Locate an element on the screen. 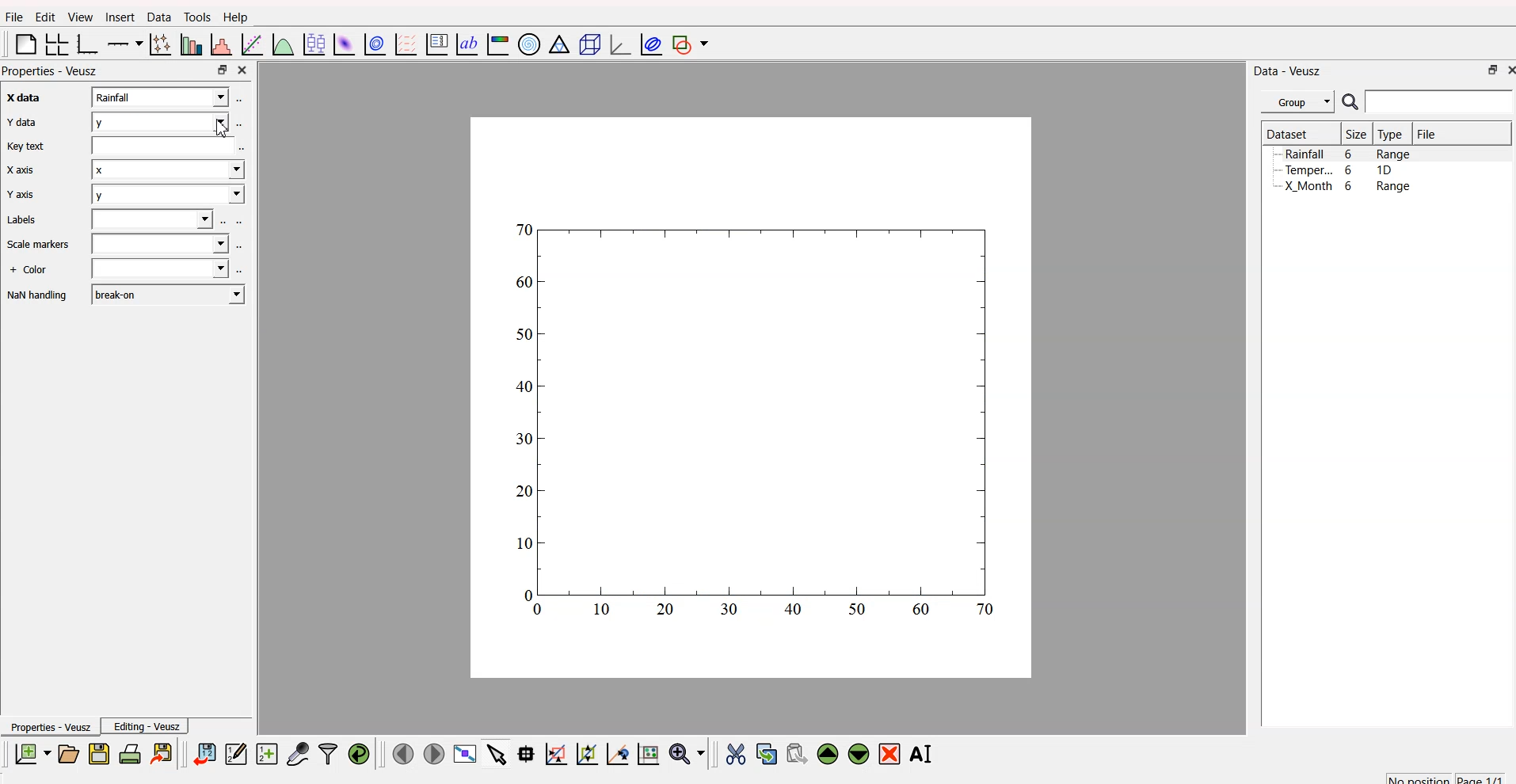 The width and height of the screenshot is (1516, 784). no position page 1/1 is located at coordinates (1445, 775).